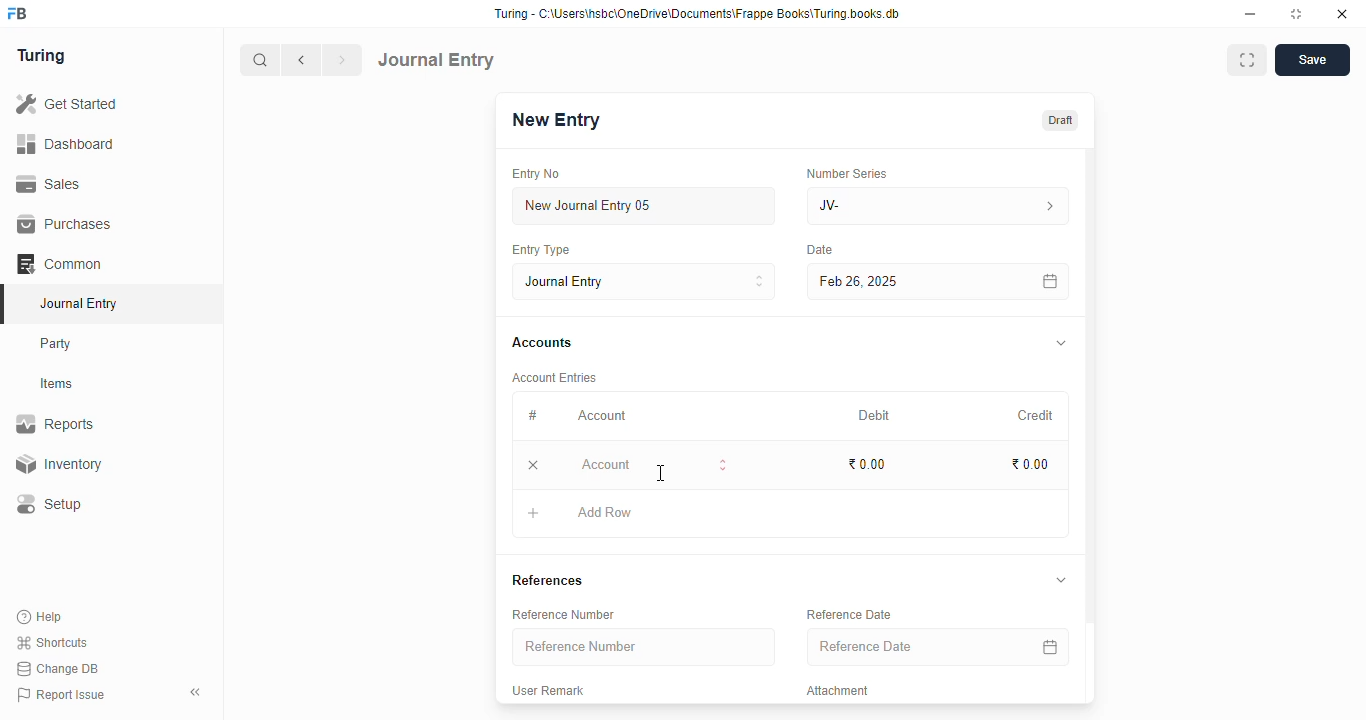 The height and width of the screenshot is (720, 1366). I want to click on Feb 26, 2025, so click(895, 281).